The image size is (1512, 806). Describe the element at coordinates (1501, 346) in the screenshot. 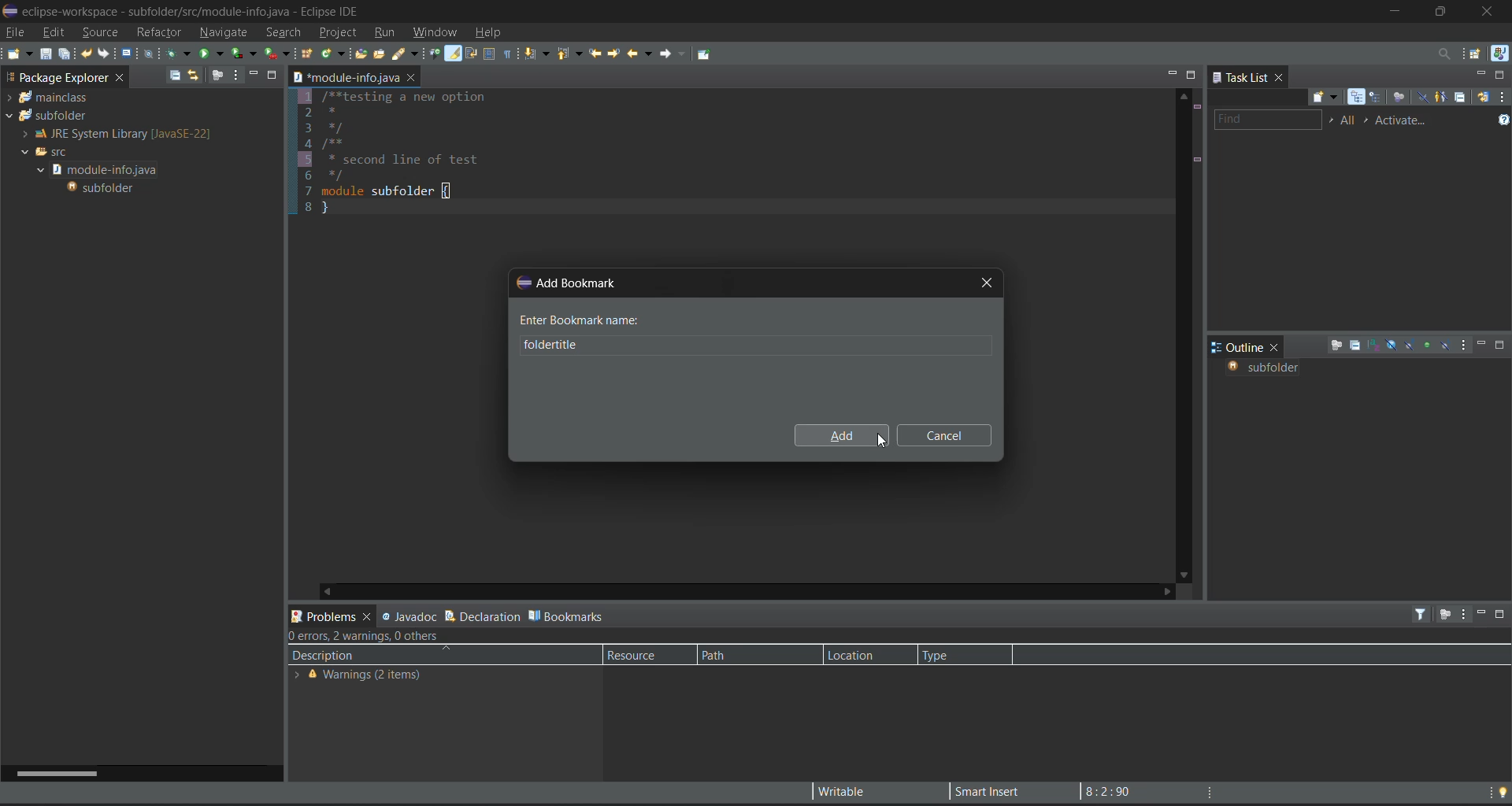

I see `maximize` at that location.